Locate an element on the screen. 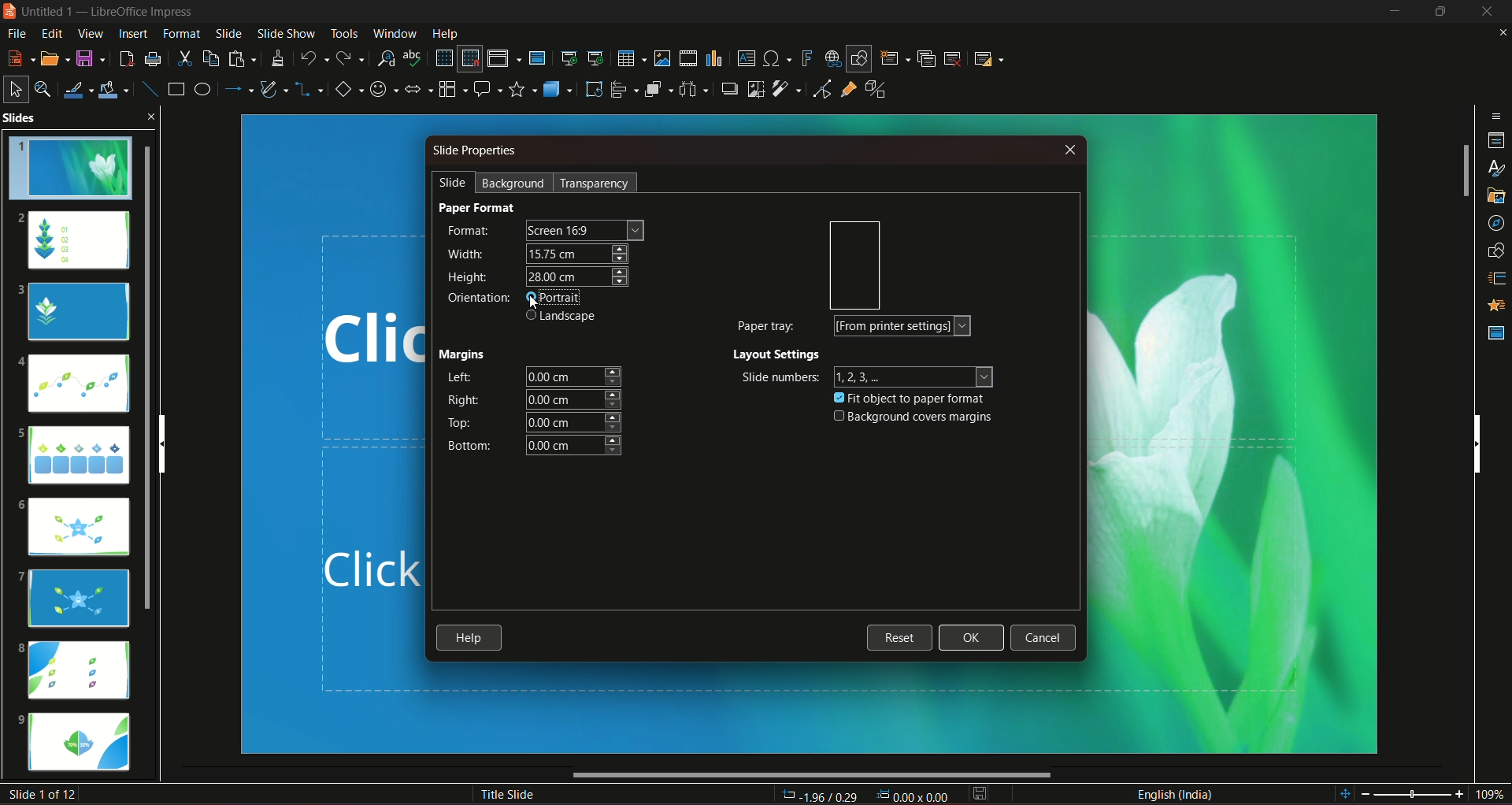 This screenshot has width=1512, height=805. logo and title is located at coordinates (102, 14).